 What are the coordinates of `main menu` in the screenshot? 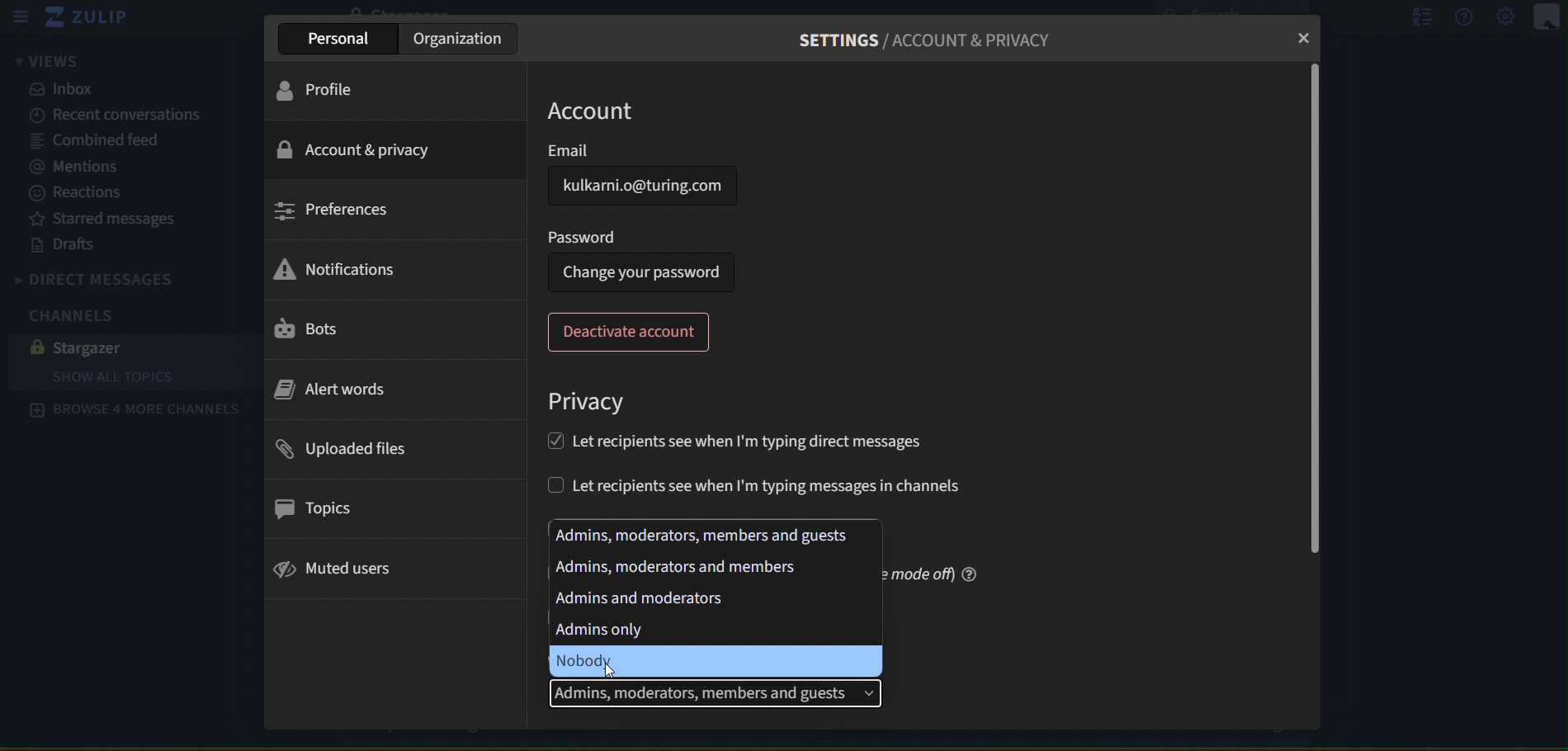 It's located at (1507, 18).